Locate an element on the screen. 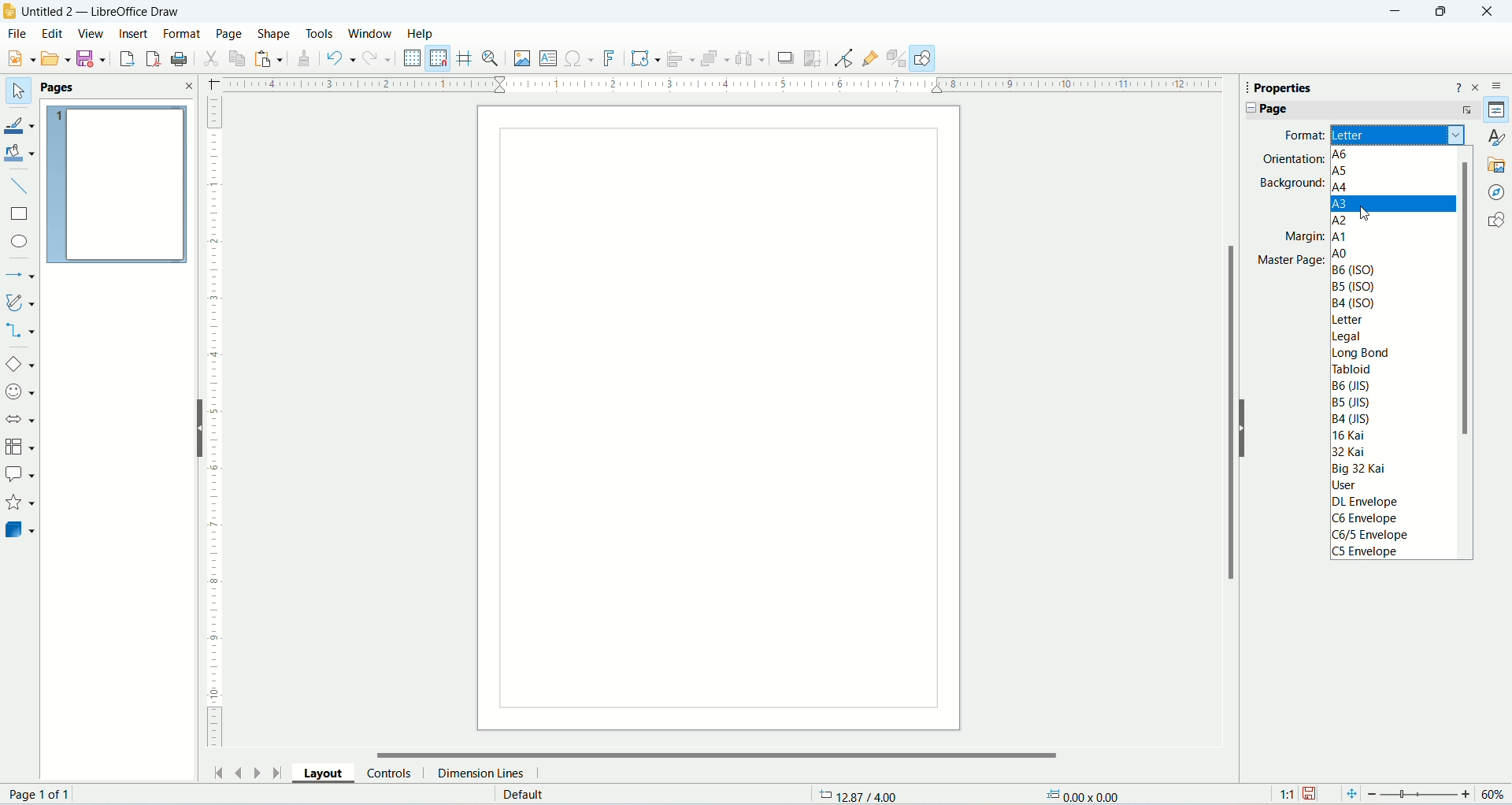 This screenshot has height=805, width=1512. insert is located at coordinates (135, 32).